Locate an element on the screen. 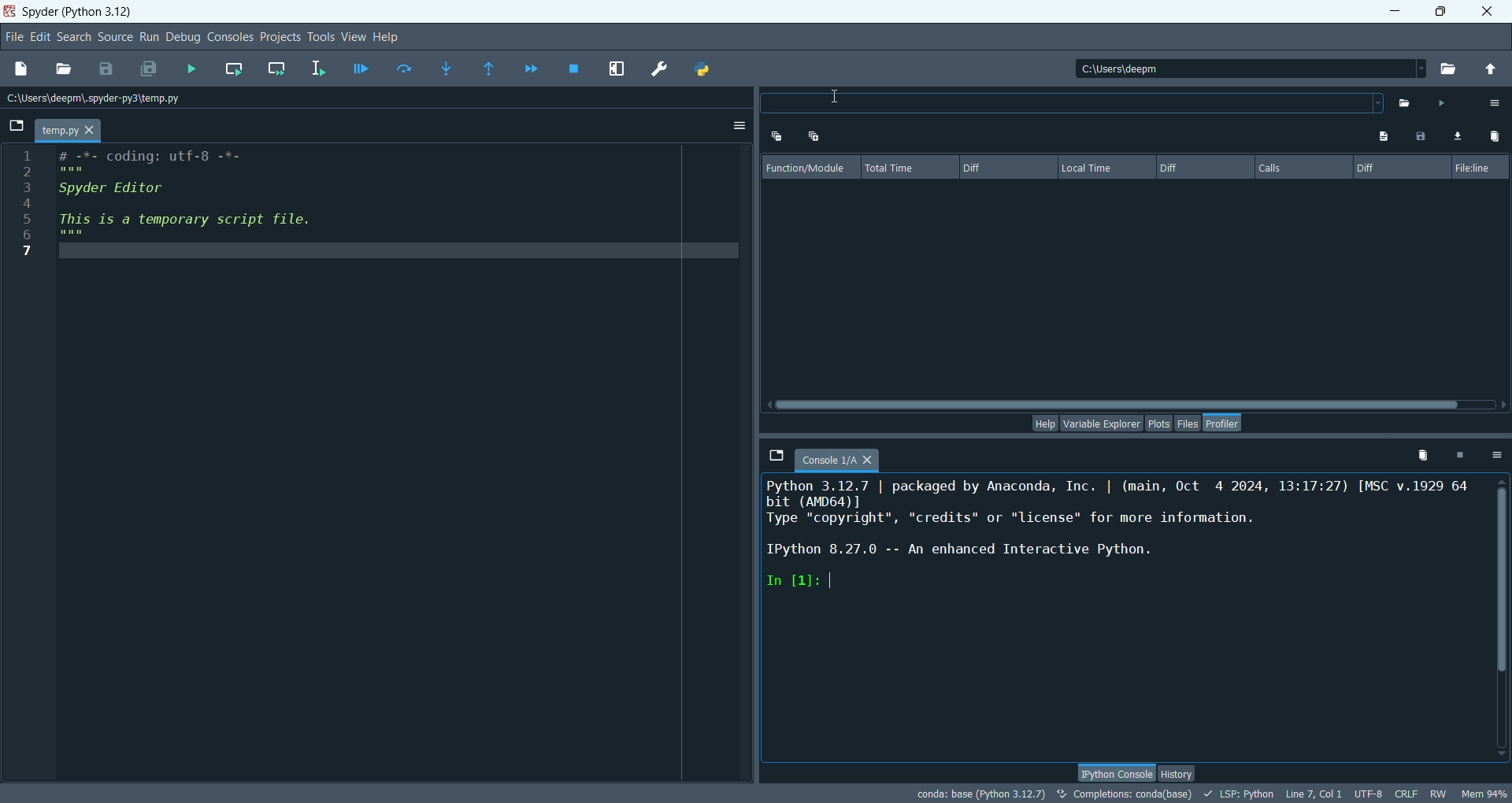 Image resolution: width=1512 pixels, height=803 pixels. location is located at coordinates (1251, 70).